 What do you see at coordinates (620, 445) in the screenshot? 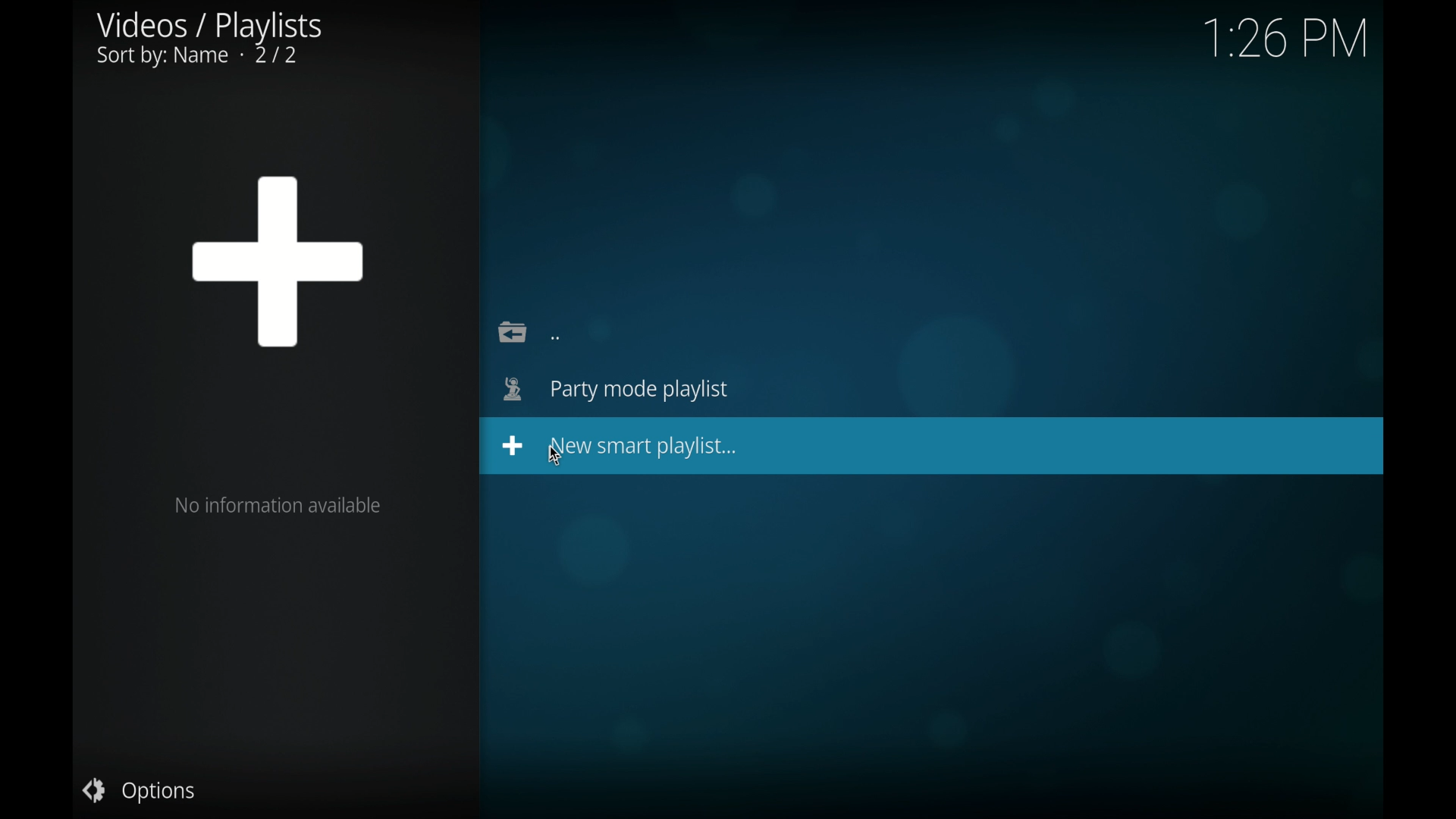
I see `new smart playlist` at bounding box center [620, 445].